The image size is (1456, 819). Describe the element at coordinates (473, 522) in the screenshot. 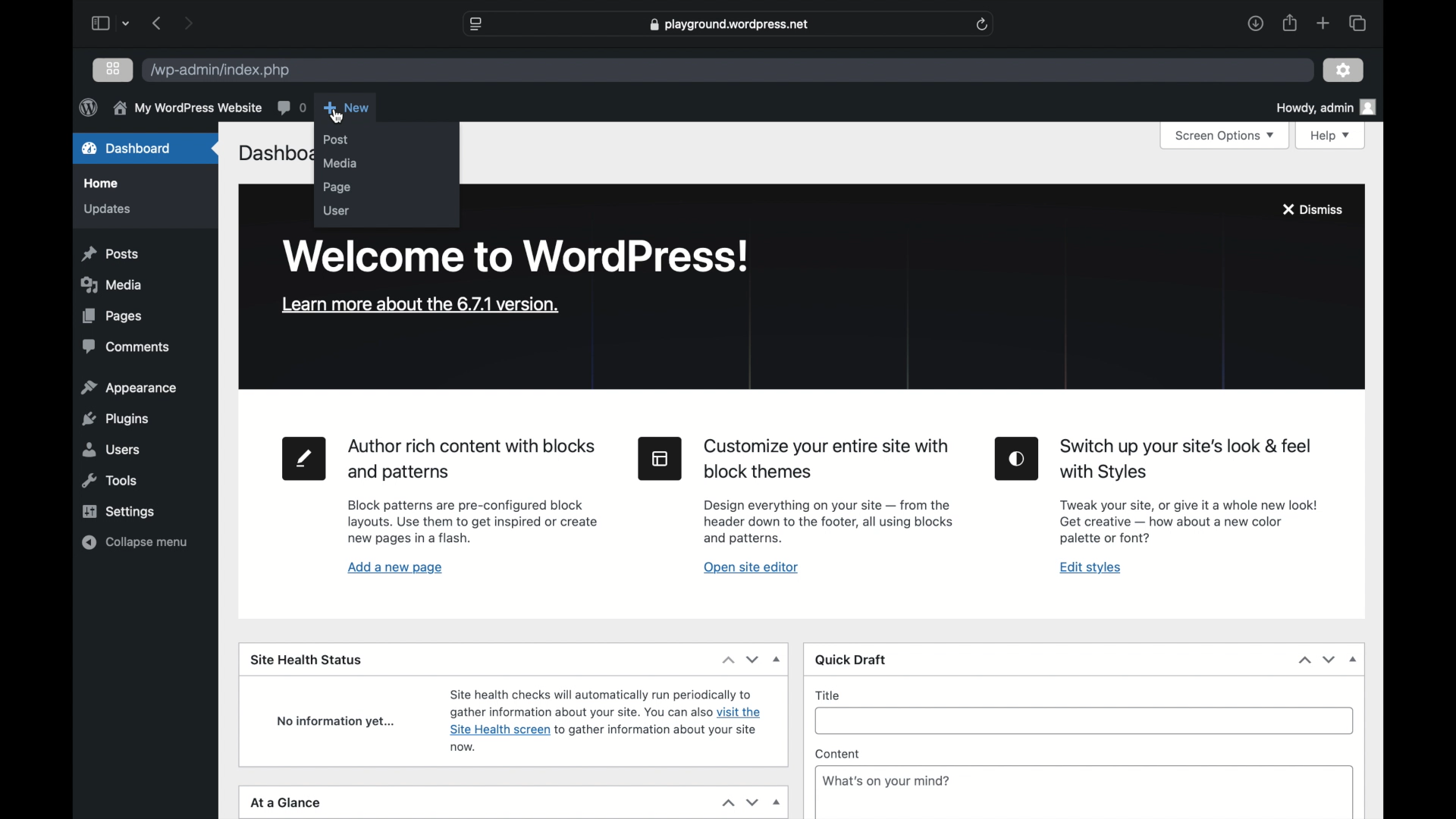

I see `page tool information` at that location.